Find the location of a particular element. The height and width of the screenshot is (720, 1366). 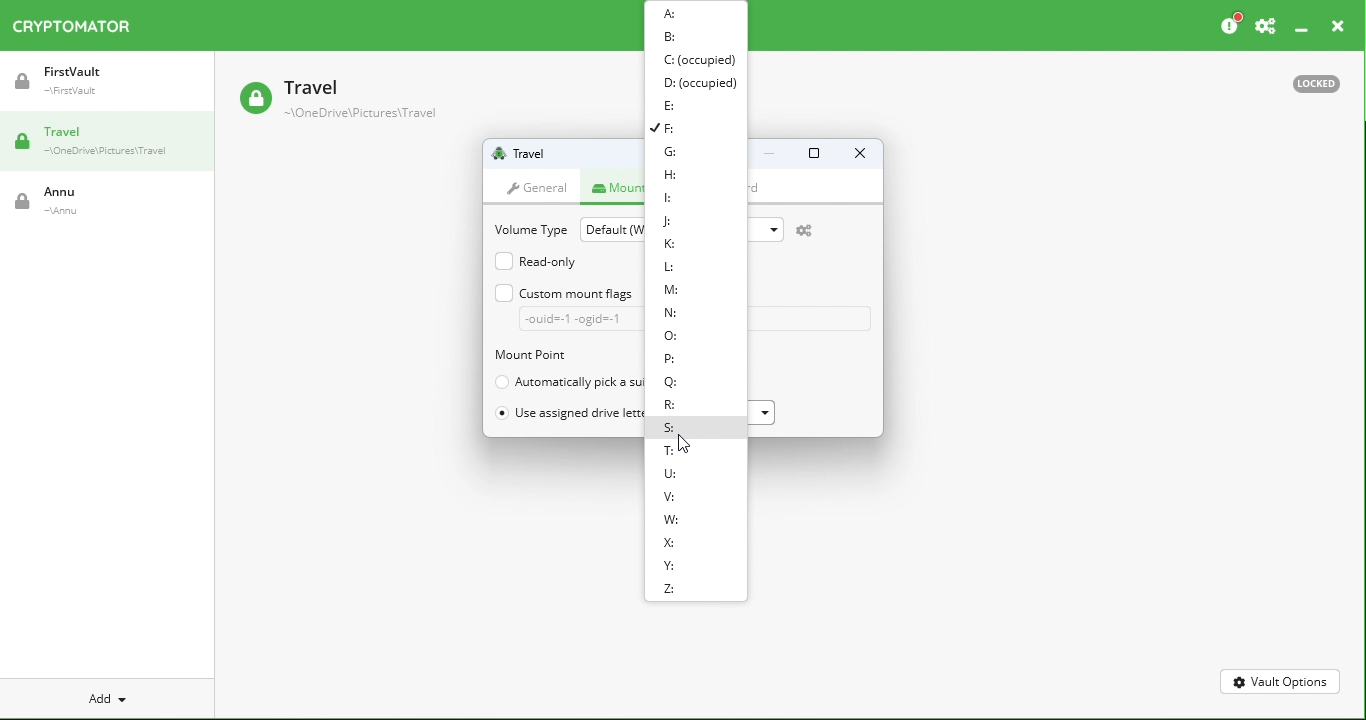

Travel is located at coordinates (109, 145).